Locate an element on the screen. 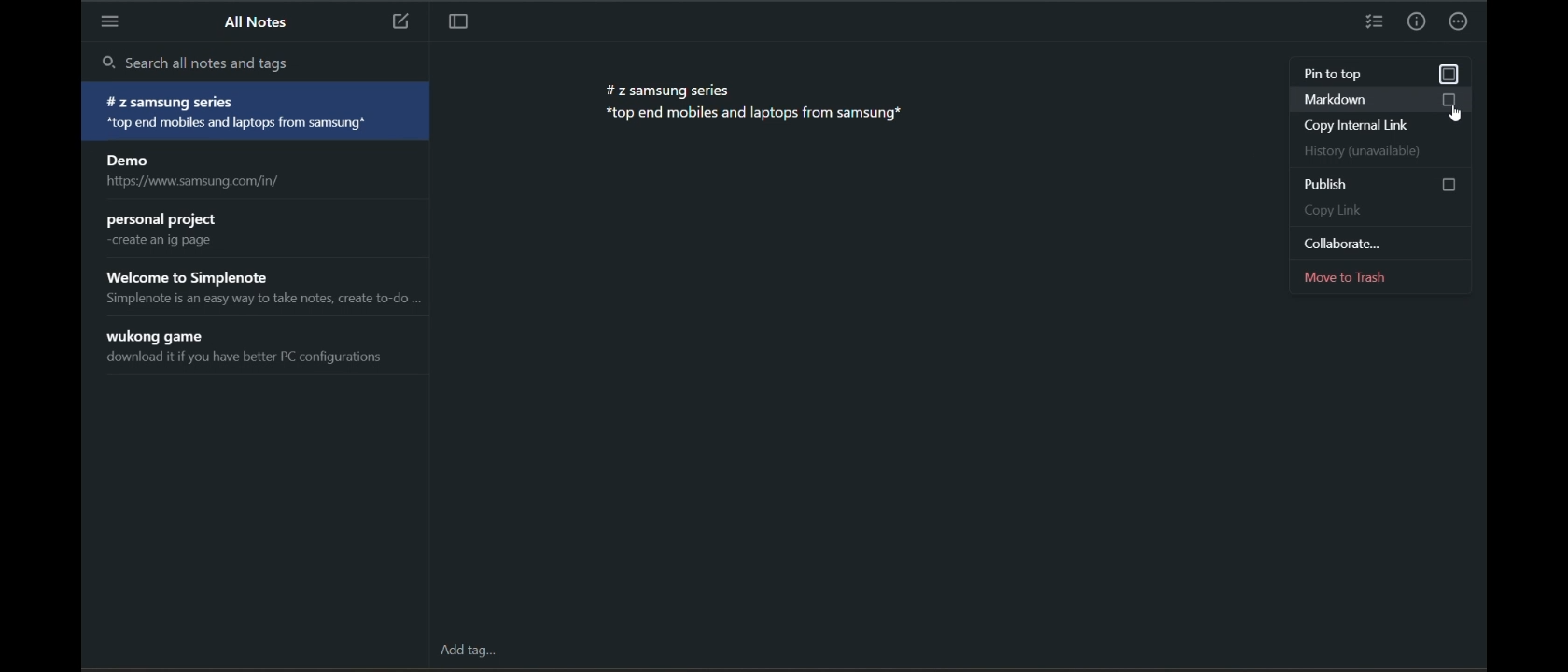 The image size is (1568, 672). all notes is located at coordinates (260, 24).